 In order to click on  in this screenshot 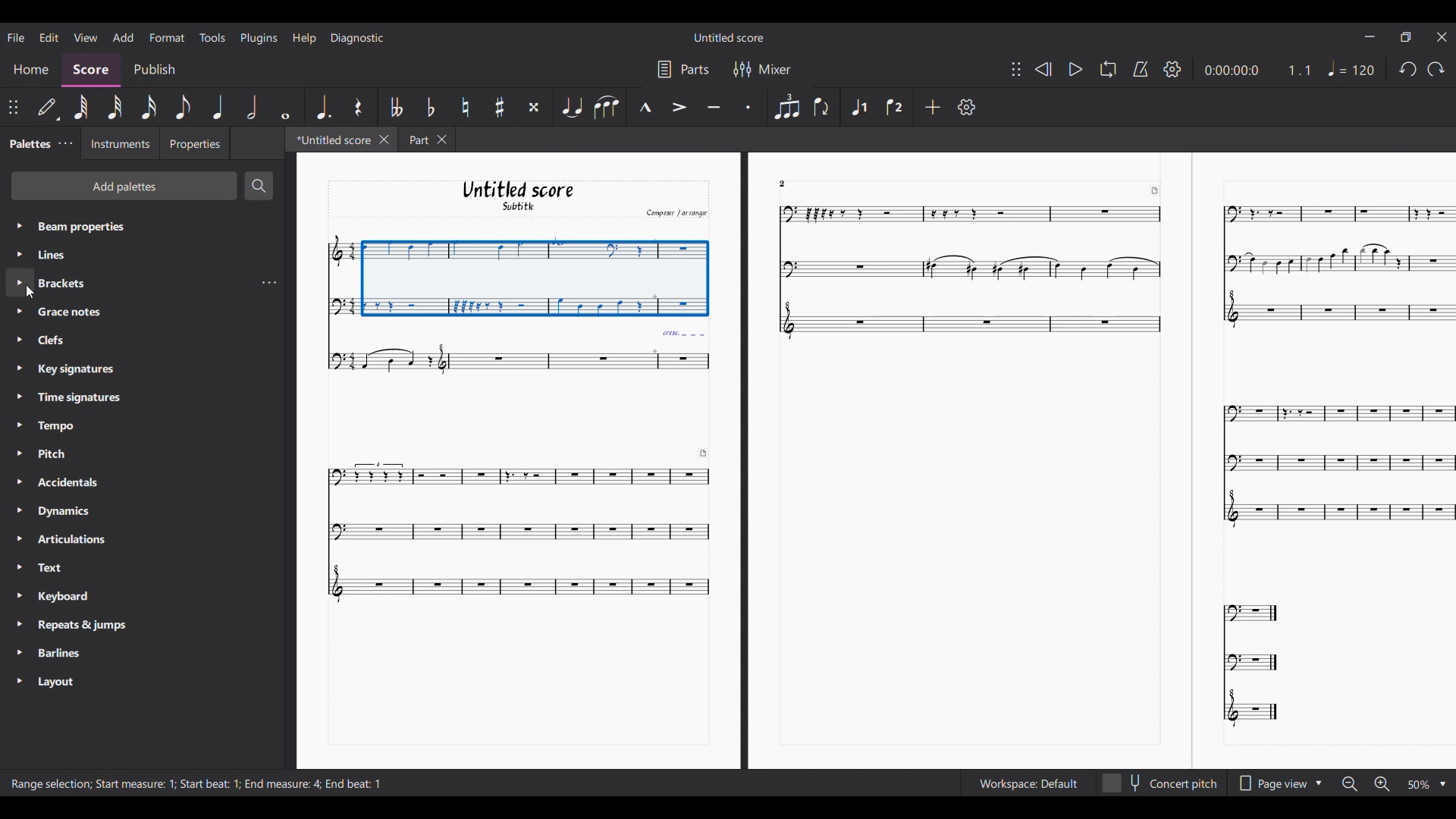, I will do `click(1338, 307)`.